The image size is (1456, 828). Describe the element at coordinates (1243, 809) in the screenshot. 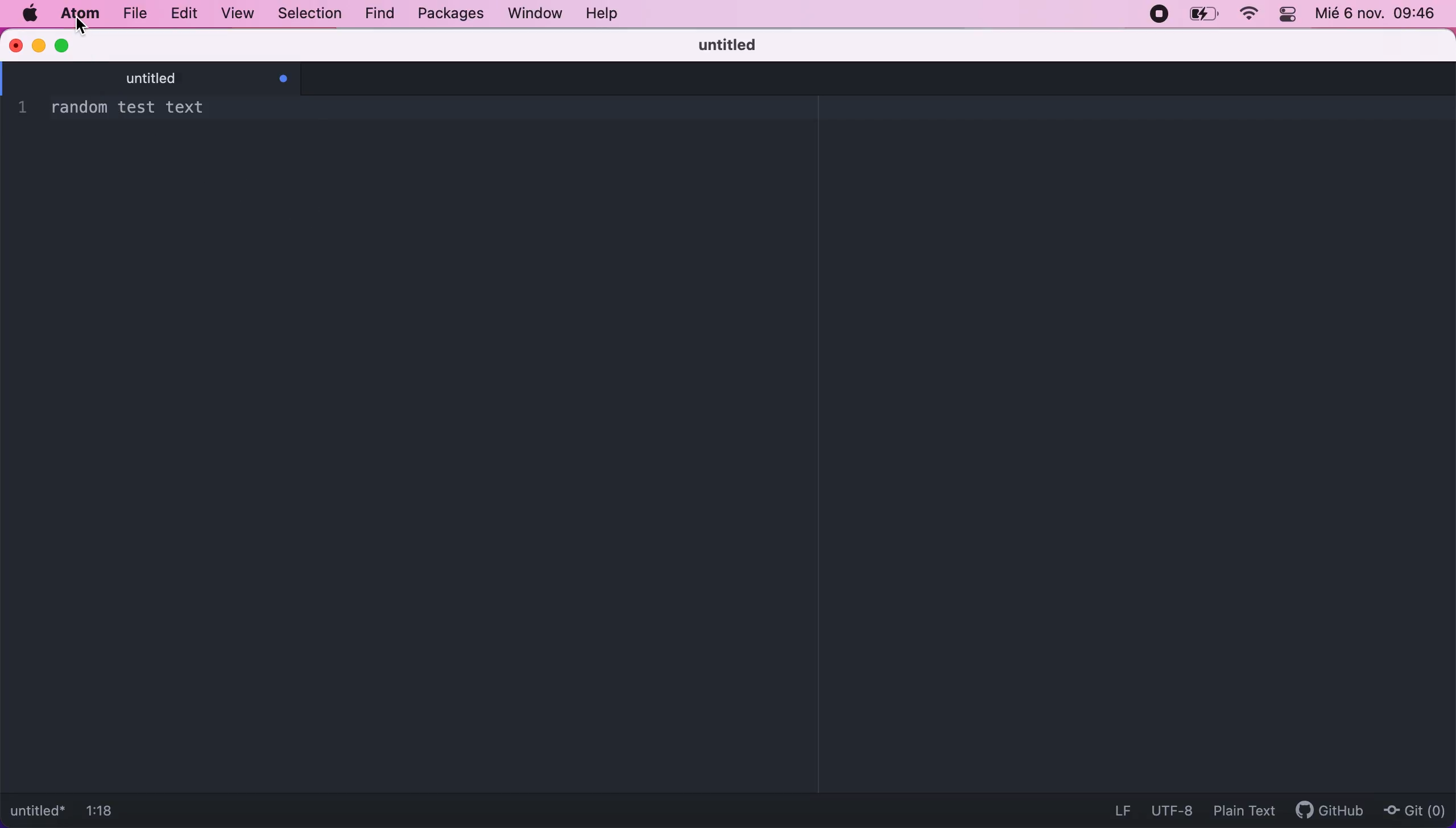

I see `plain text` at that location.